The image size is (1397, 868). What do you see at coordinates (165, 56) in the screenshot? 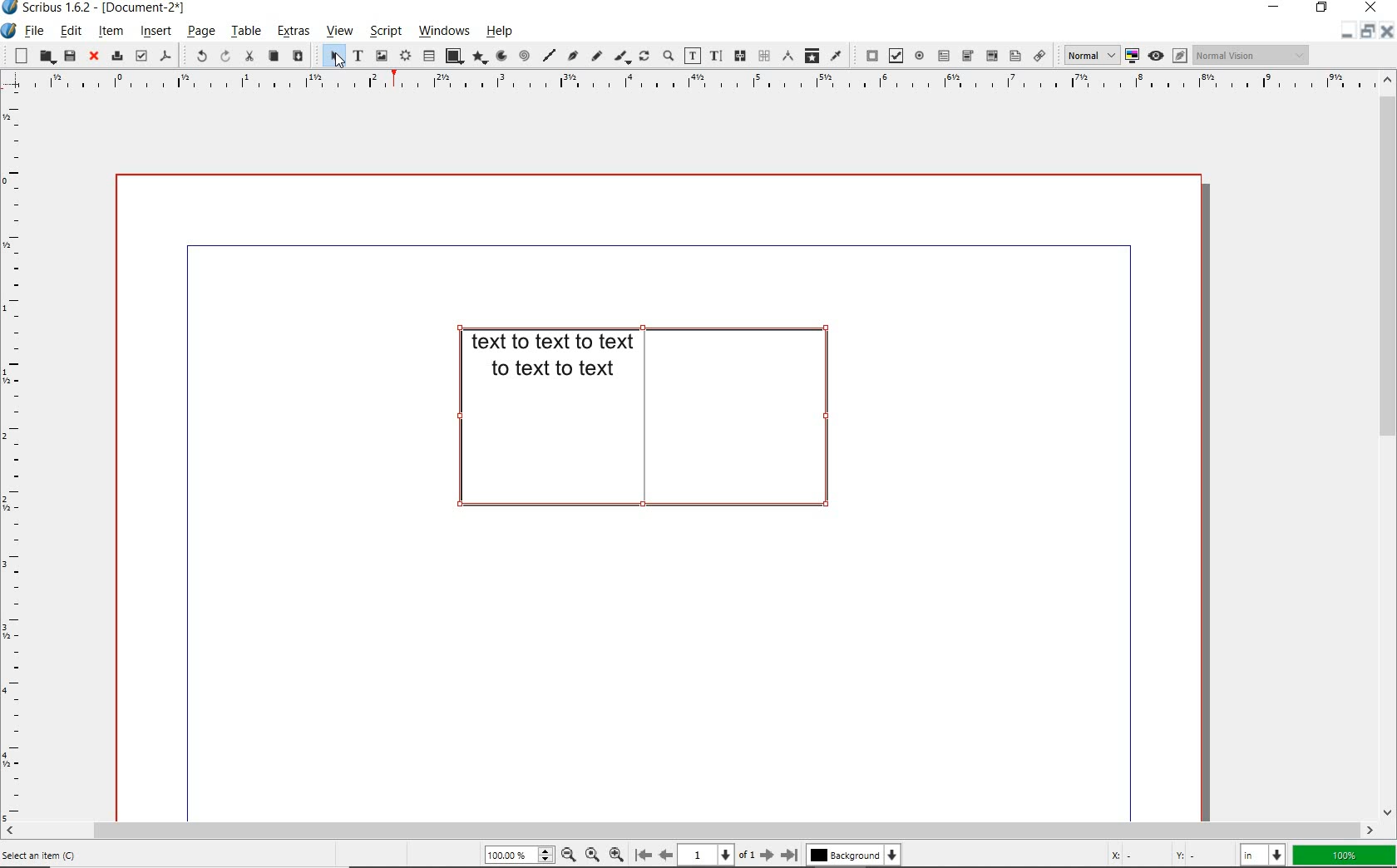
I see `save as pdf` at bounding box center [165, 56].